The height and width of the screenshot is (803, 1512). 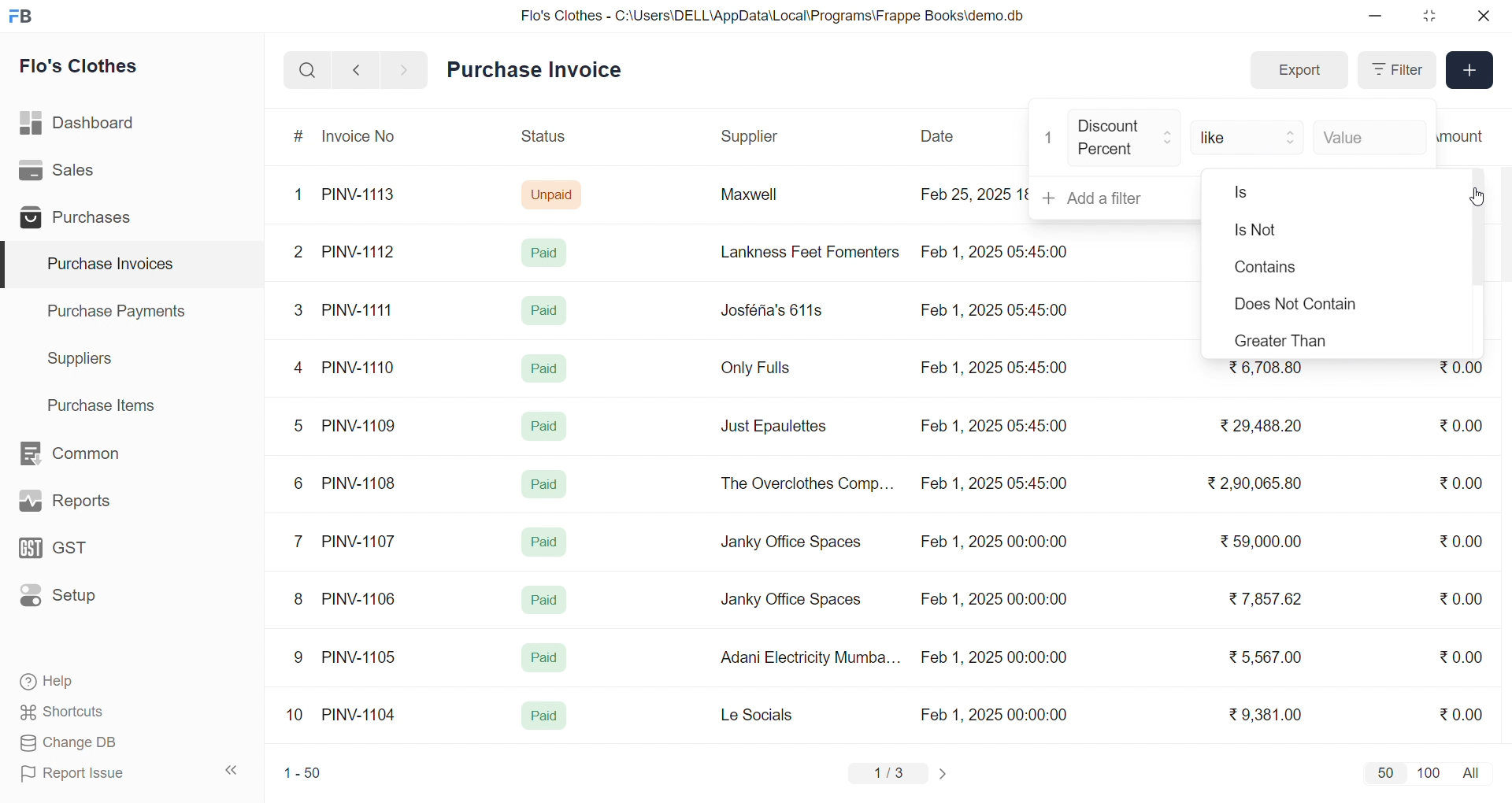 What do you see at coordinates (24, 17) in the screenshot?
I see `logo` at bounding box center [24, 17].